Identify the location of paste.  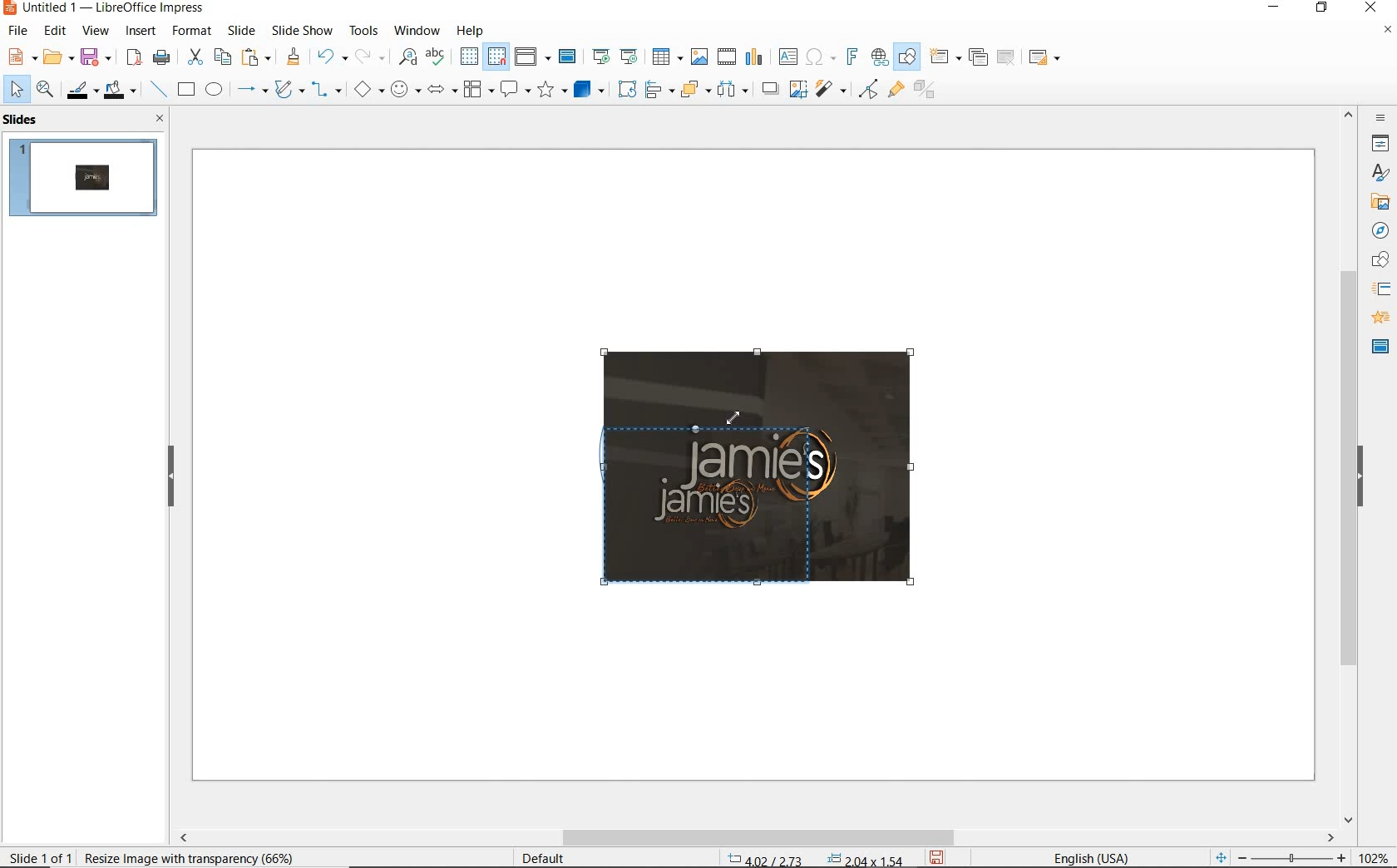
(257, 57).